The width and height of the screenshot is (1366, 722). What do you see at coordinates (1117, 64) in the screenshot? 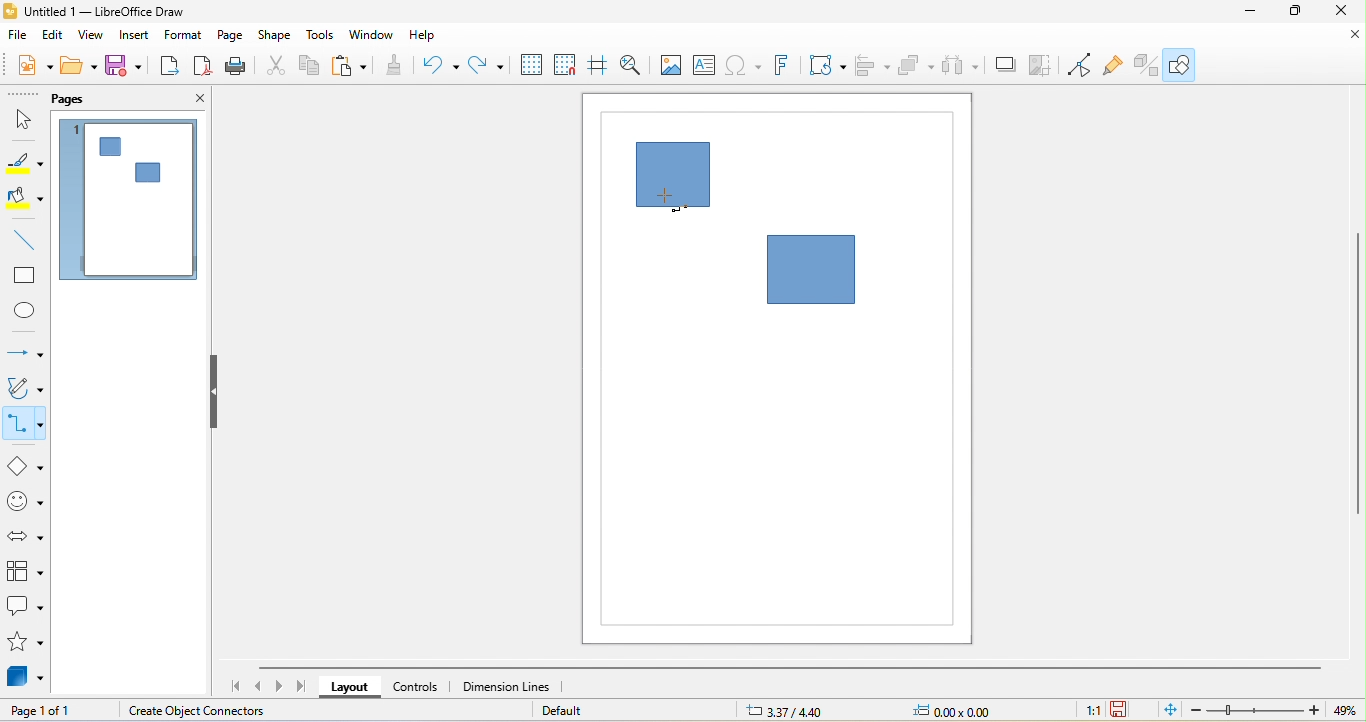
I see `gluepouint function` at bounding box center [1117, 64].